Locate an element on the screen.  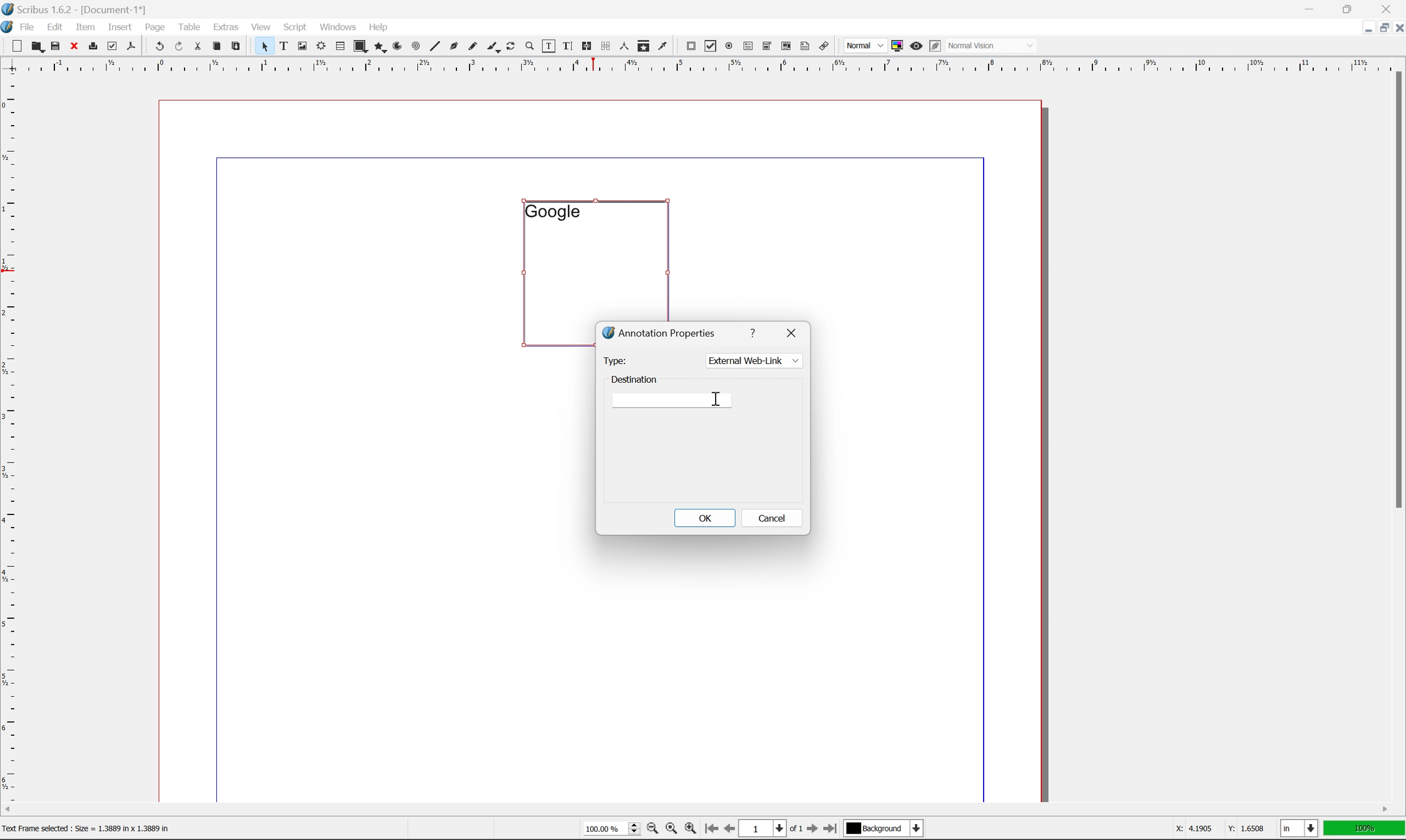
google is located at coordinates (552, 211).